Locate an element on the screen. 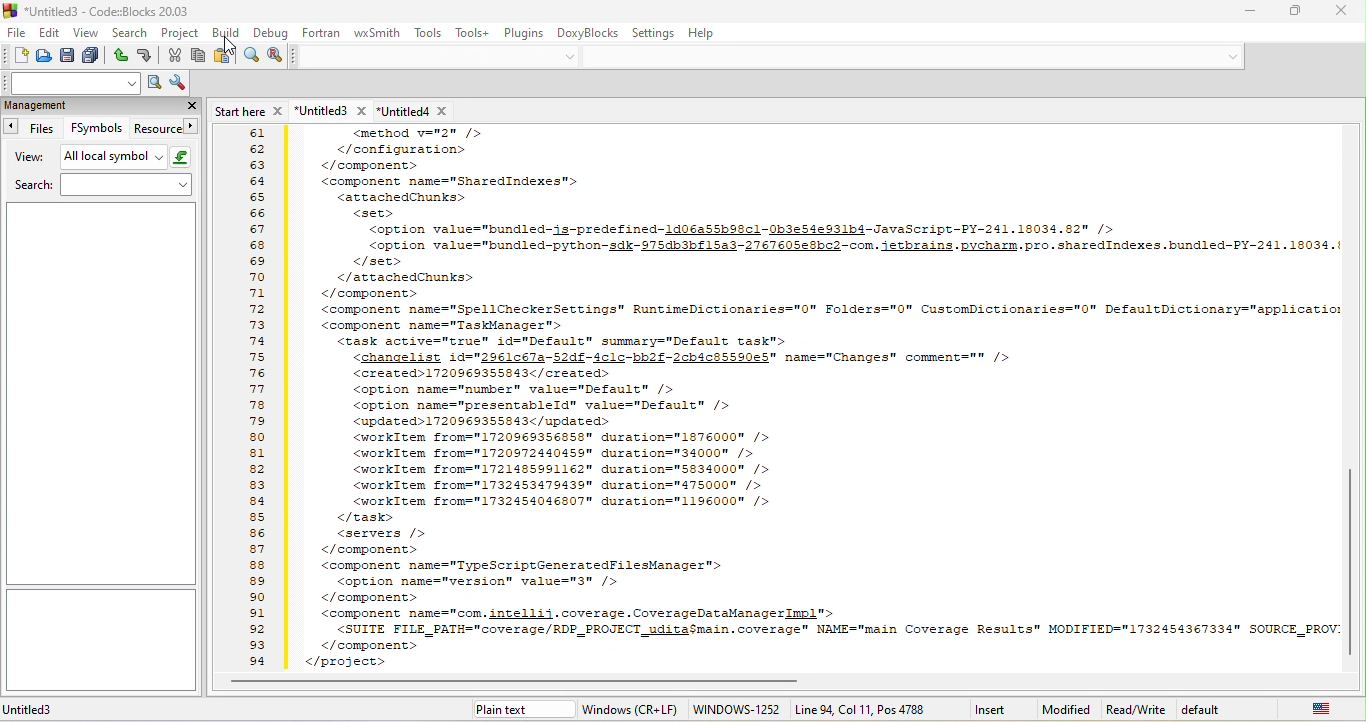 The image size is (1366, 722). windows-1252 is located at coordinates (739, 708).